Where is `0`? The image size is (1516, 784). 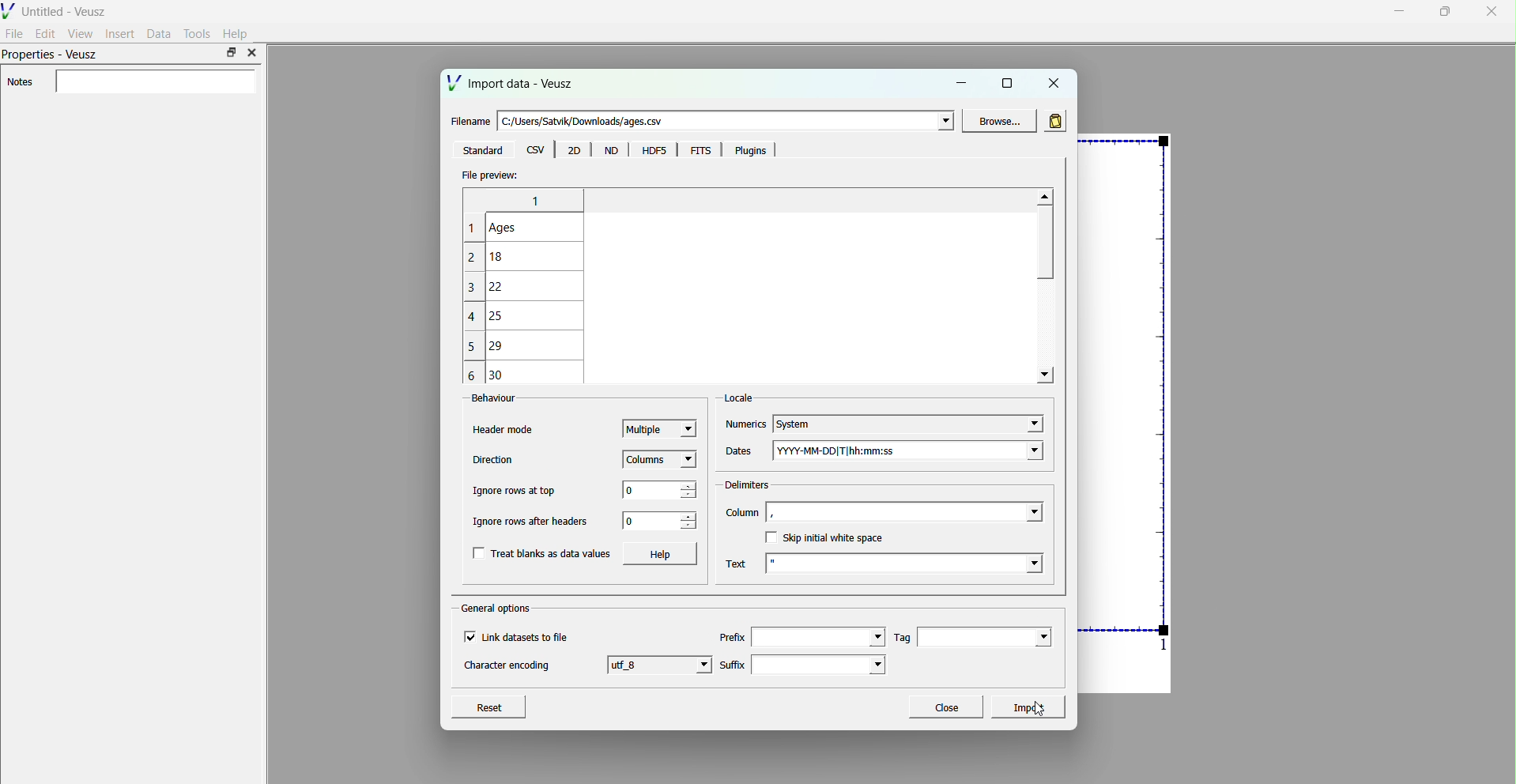 0 is located at coordinates (648, 522).